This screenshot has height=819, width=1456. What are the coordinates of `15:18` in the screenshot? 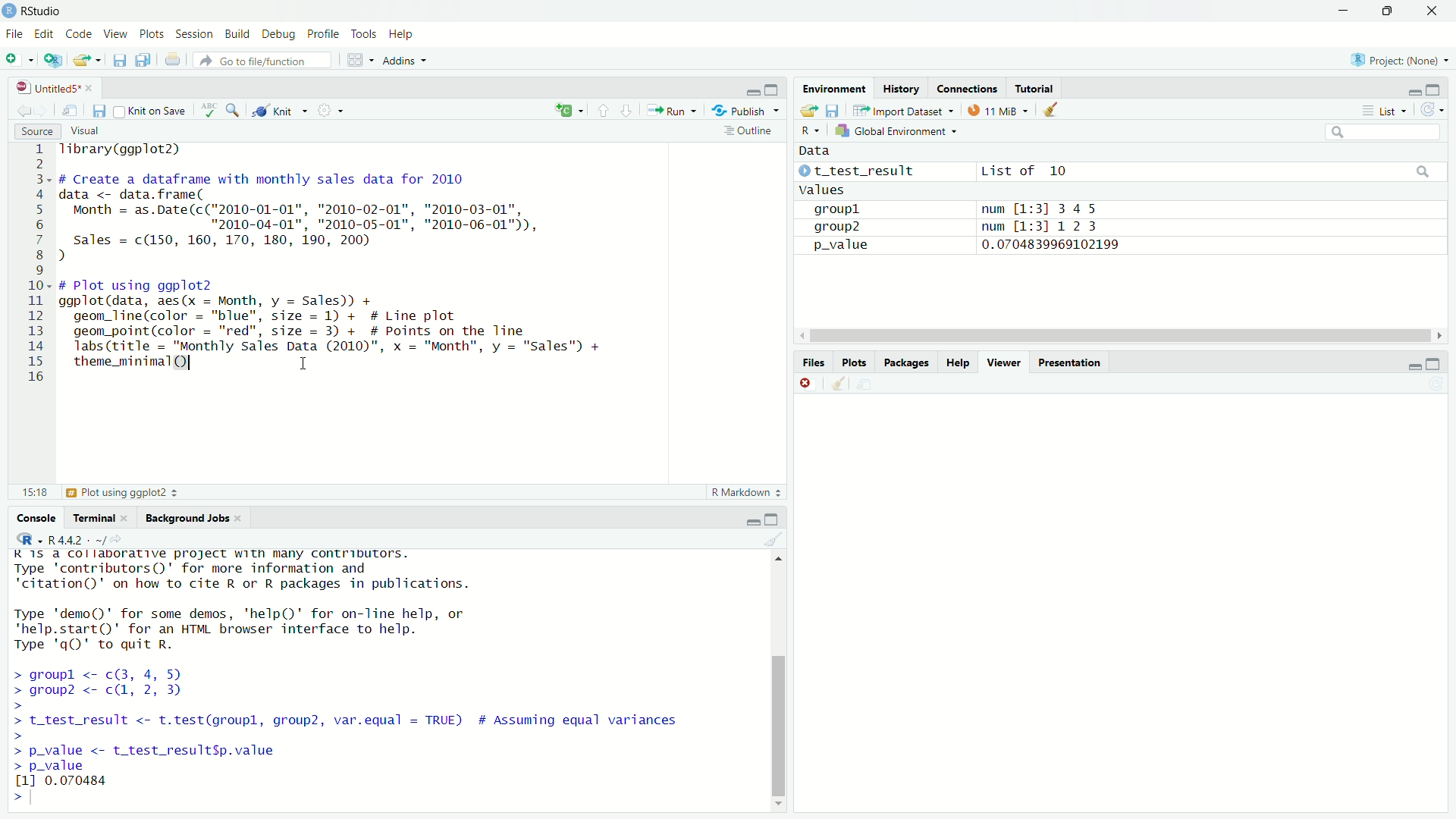 It's located at (34, 493).